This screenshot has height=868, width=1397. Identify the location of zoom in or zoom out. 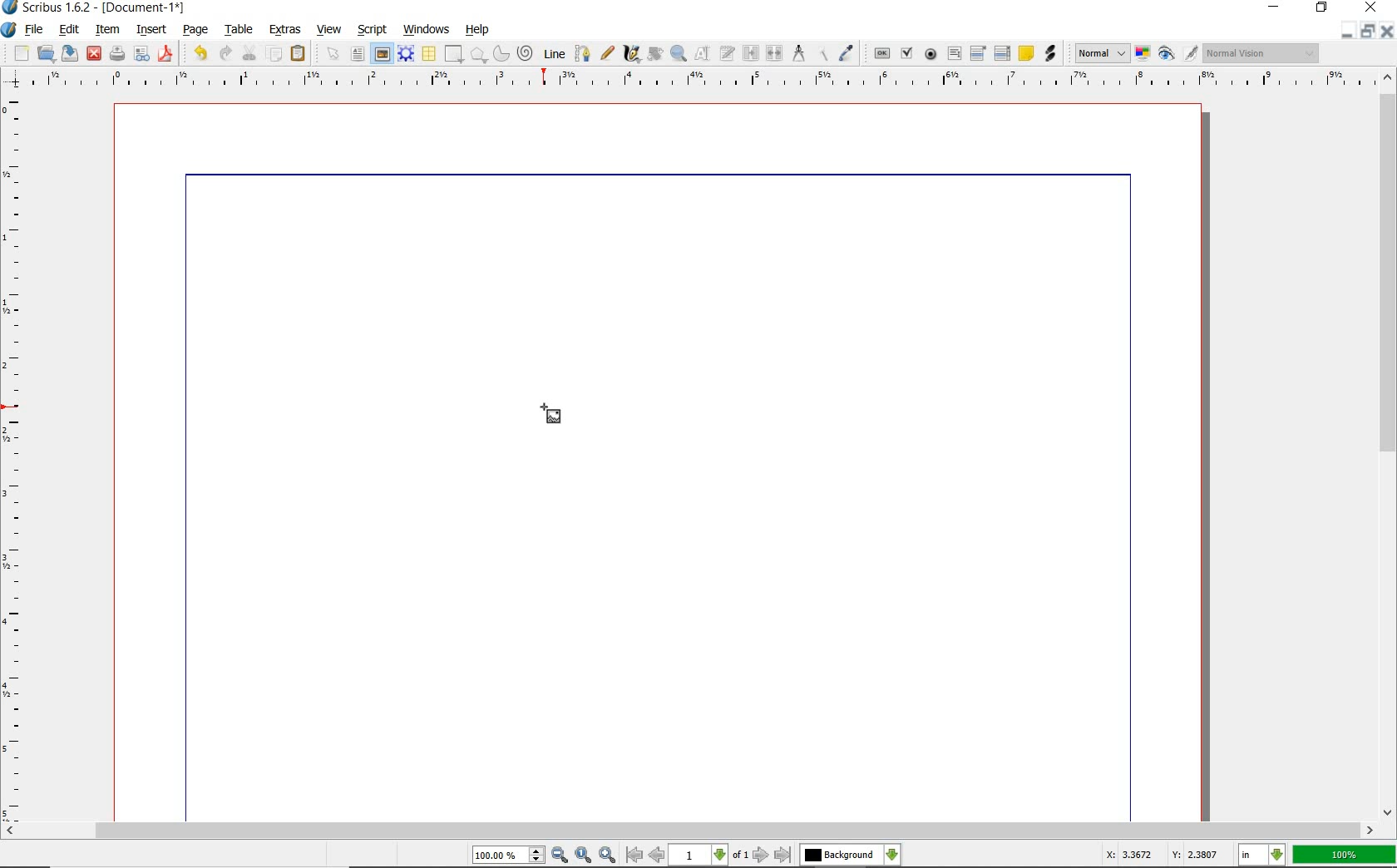
(679, 53).